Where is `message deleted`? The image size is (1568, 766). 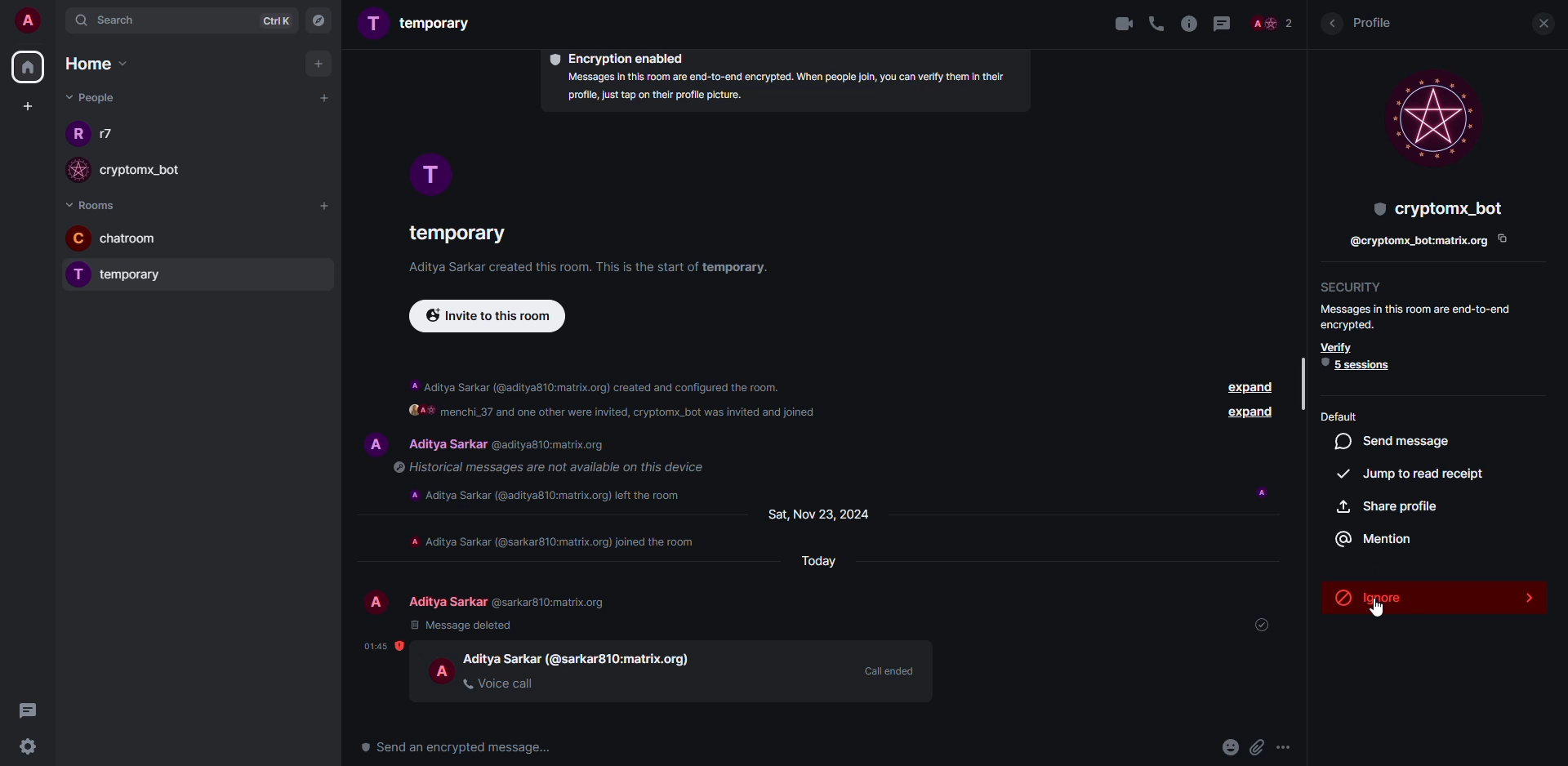 message deleted is located at coordinates (463, 625).